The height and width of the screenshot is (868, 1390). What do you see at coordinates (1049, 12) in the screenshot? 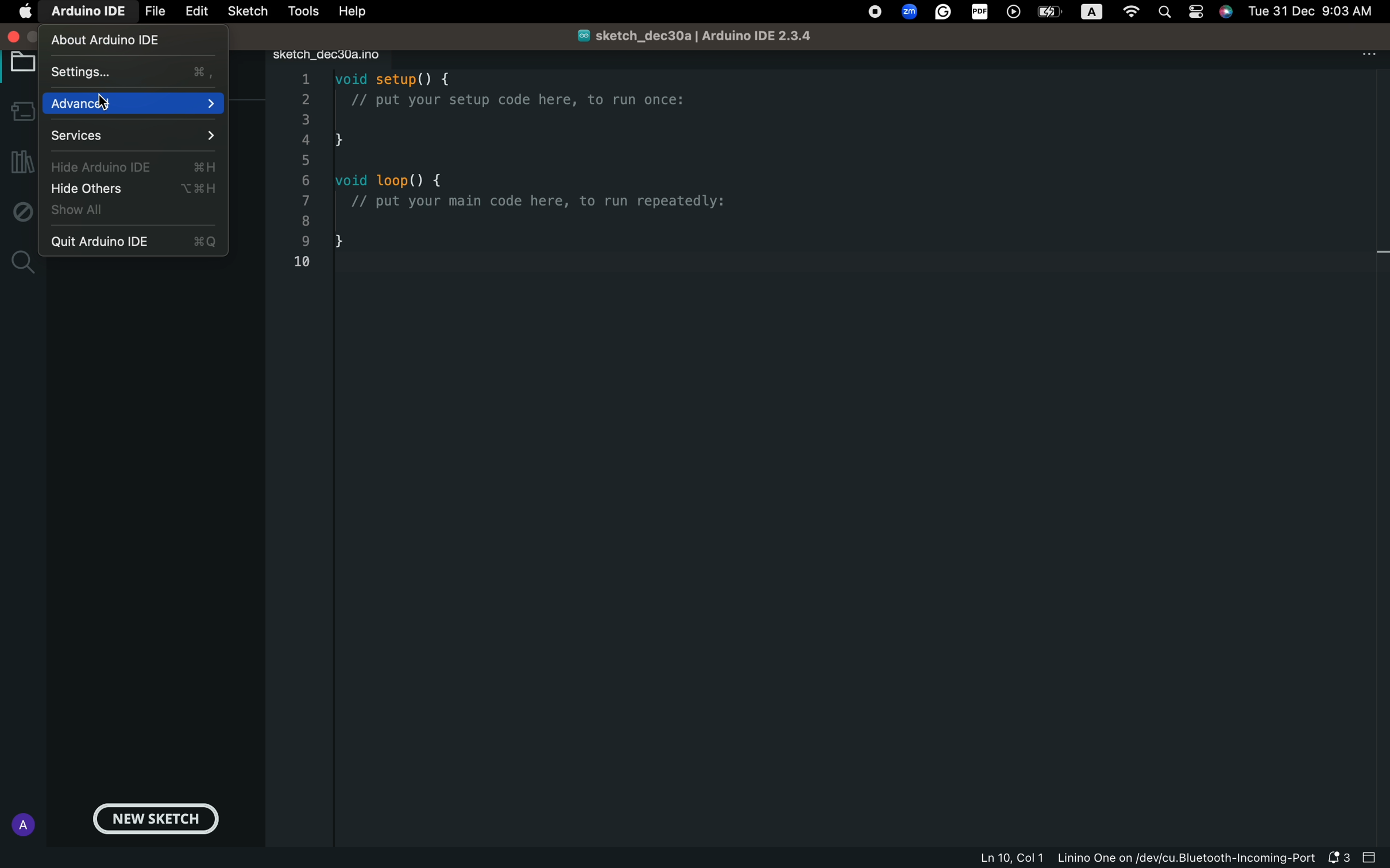
I see `battery` at bounding box center [1049, 12].